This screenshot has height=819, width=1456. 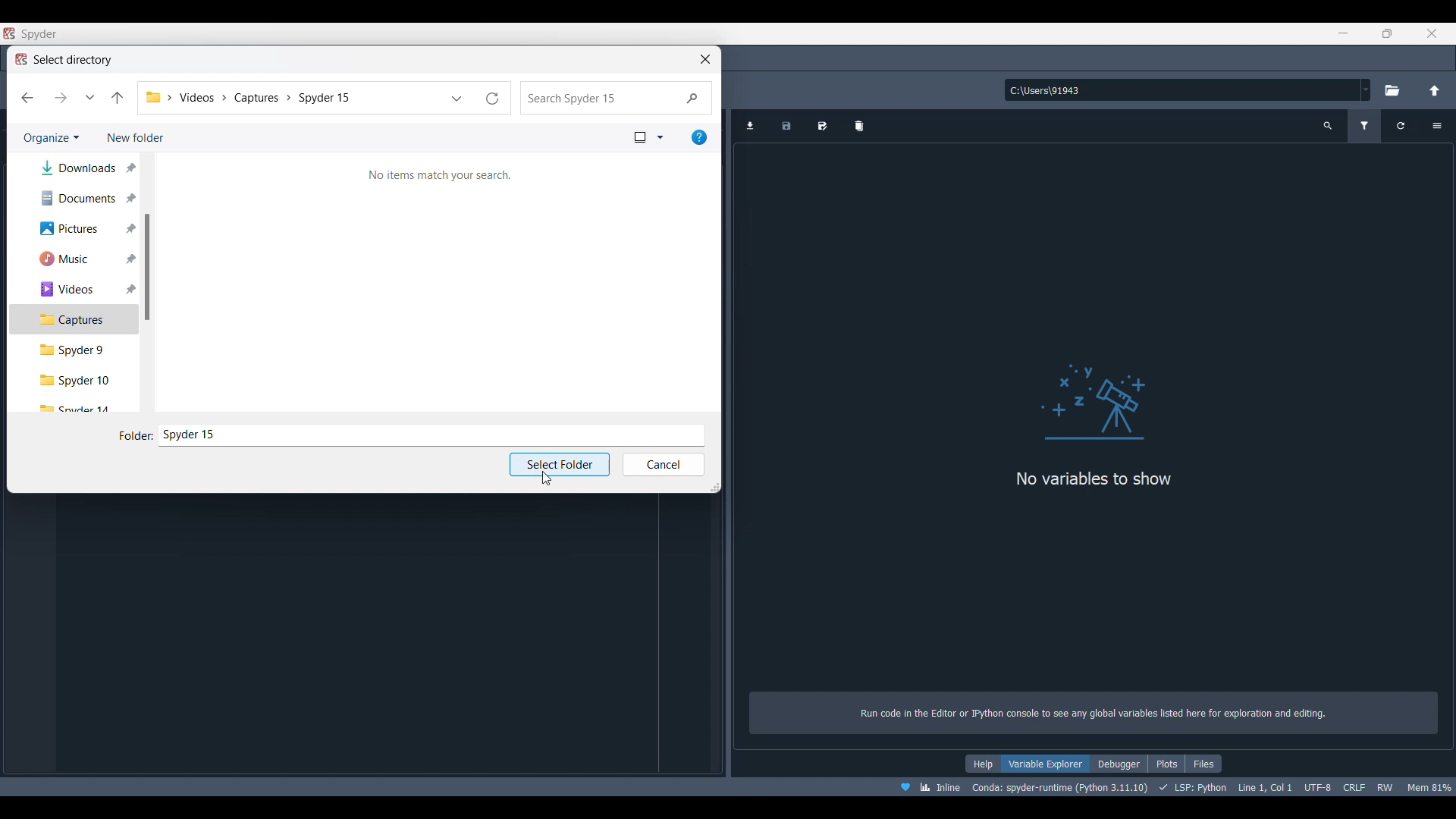 I want to click on Help, so click(x=983, y=764).